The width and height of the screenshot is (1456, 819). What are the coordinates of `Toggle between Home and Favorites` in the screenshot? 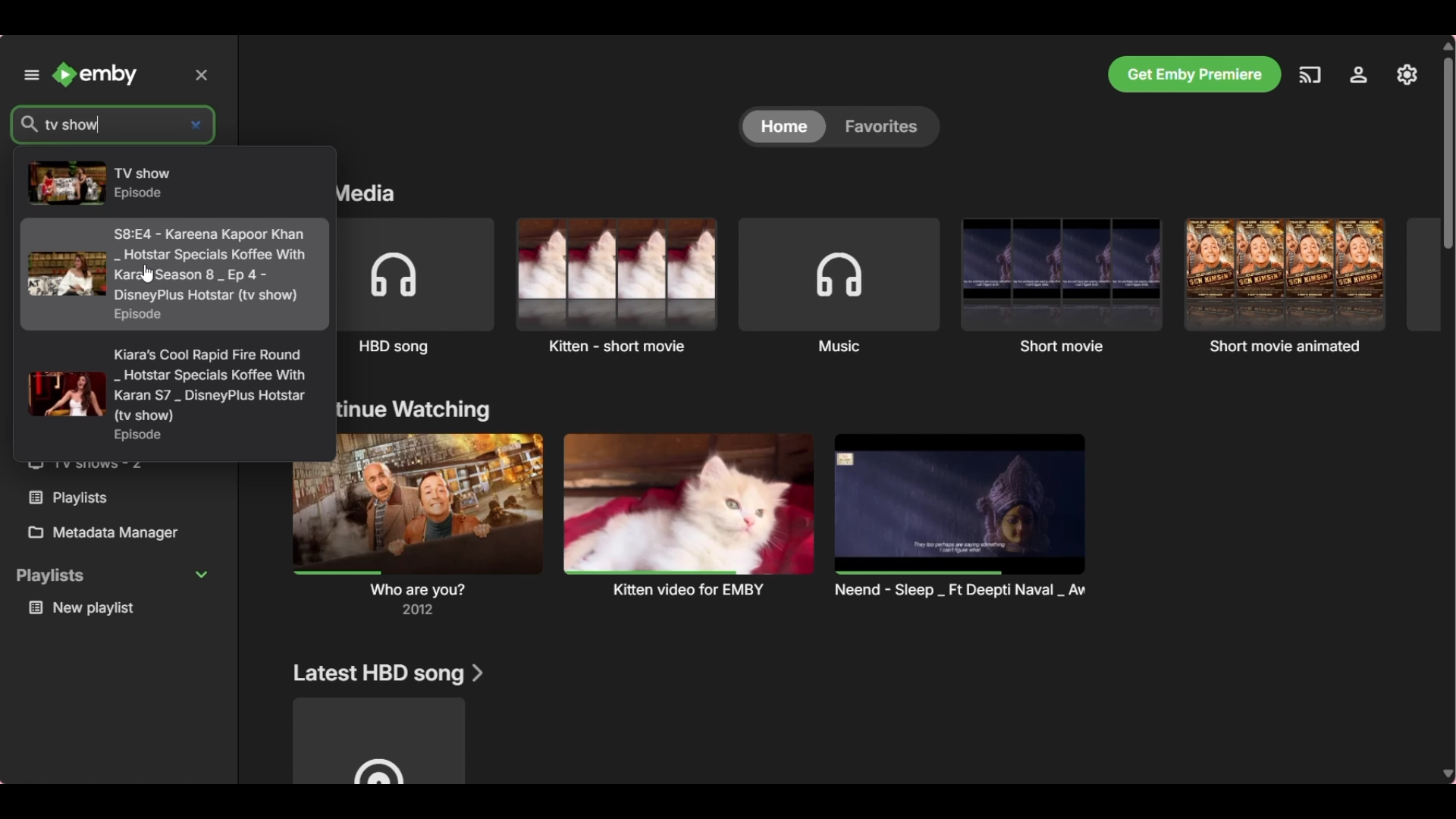 It's located at (838, 127).